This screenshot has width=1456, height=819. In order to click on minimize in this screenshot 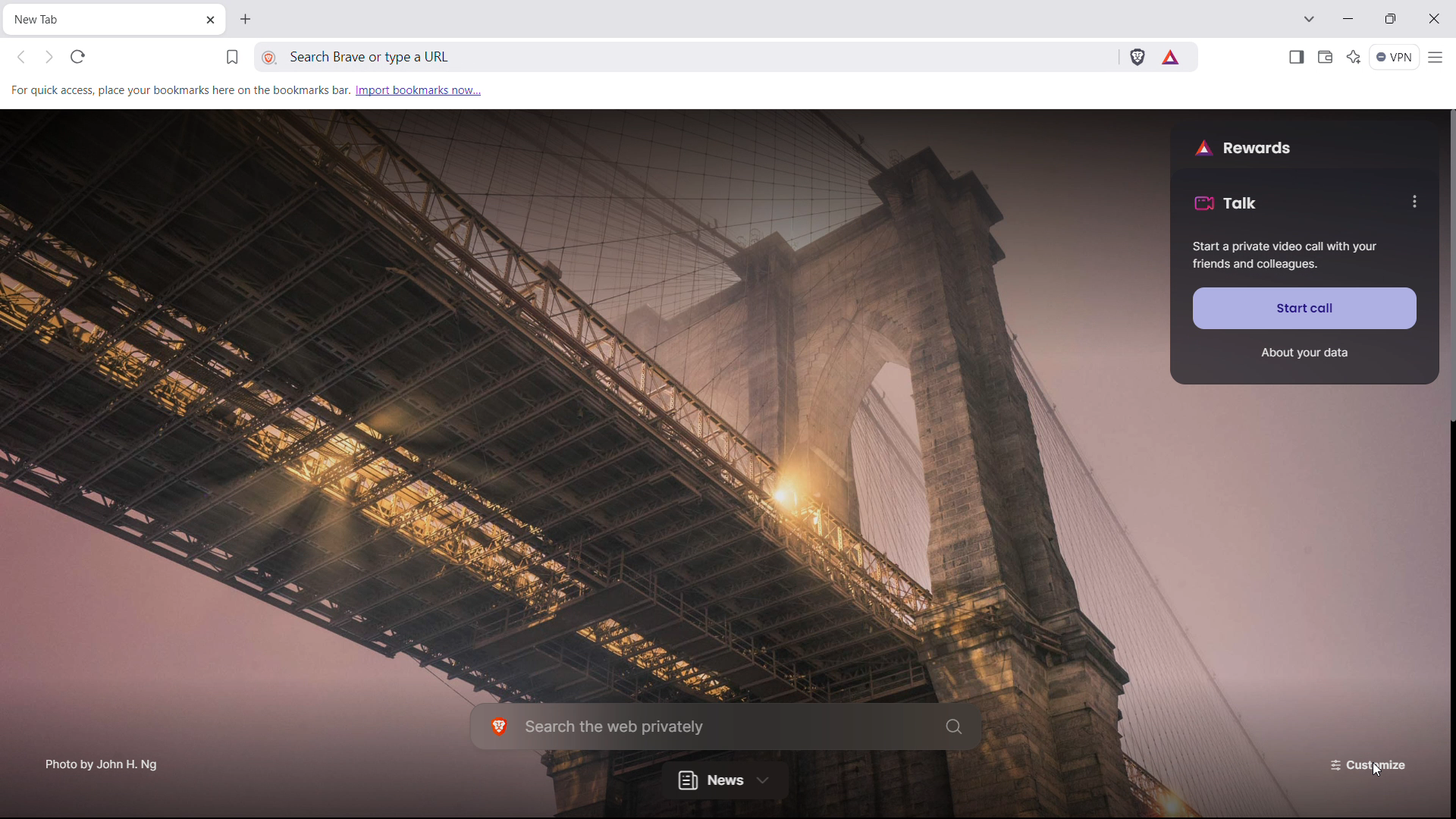, I will do `click(1349, 17)`.